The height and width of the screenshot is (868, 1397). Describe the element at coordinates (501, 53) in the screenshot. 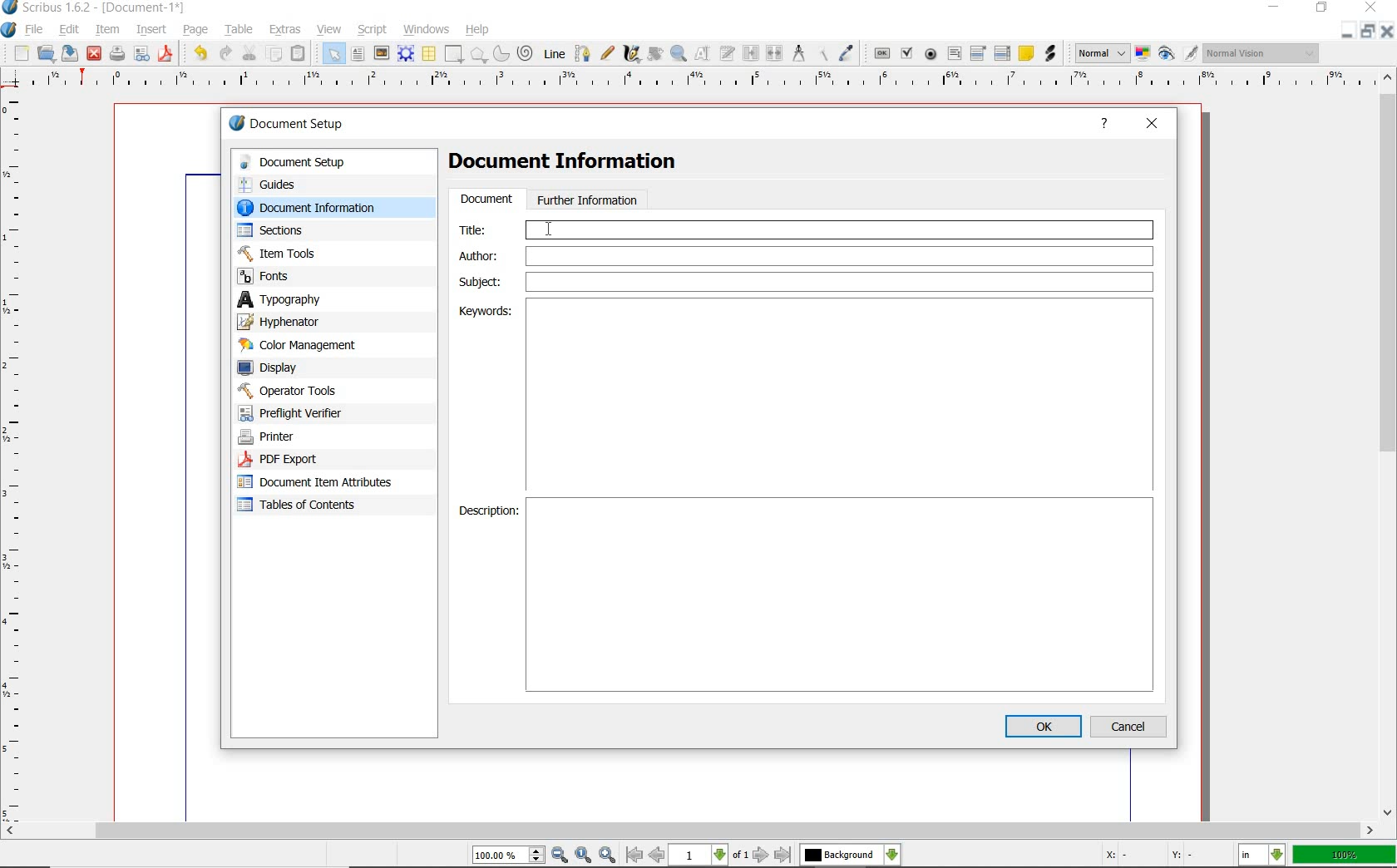

I see `arc` at that location.